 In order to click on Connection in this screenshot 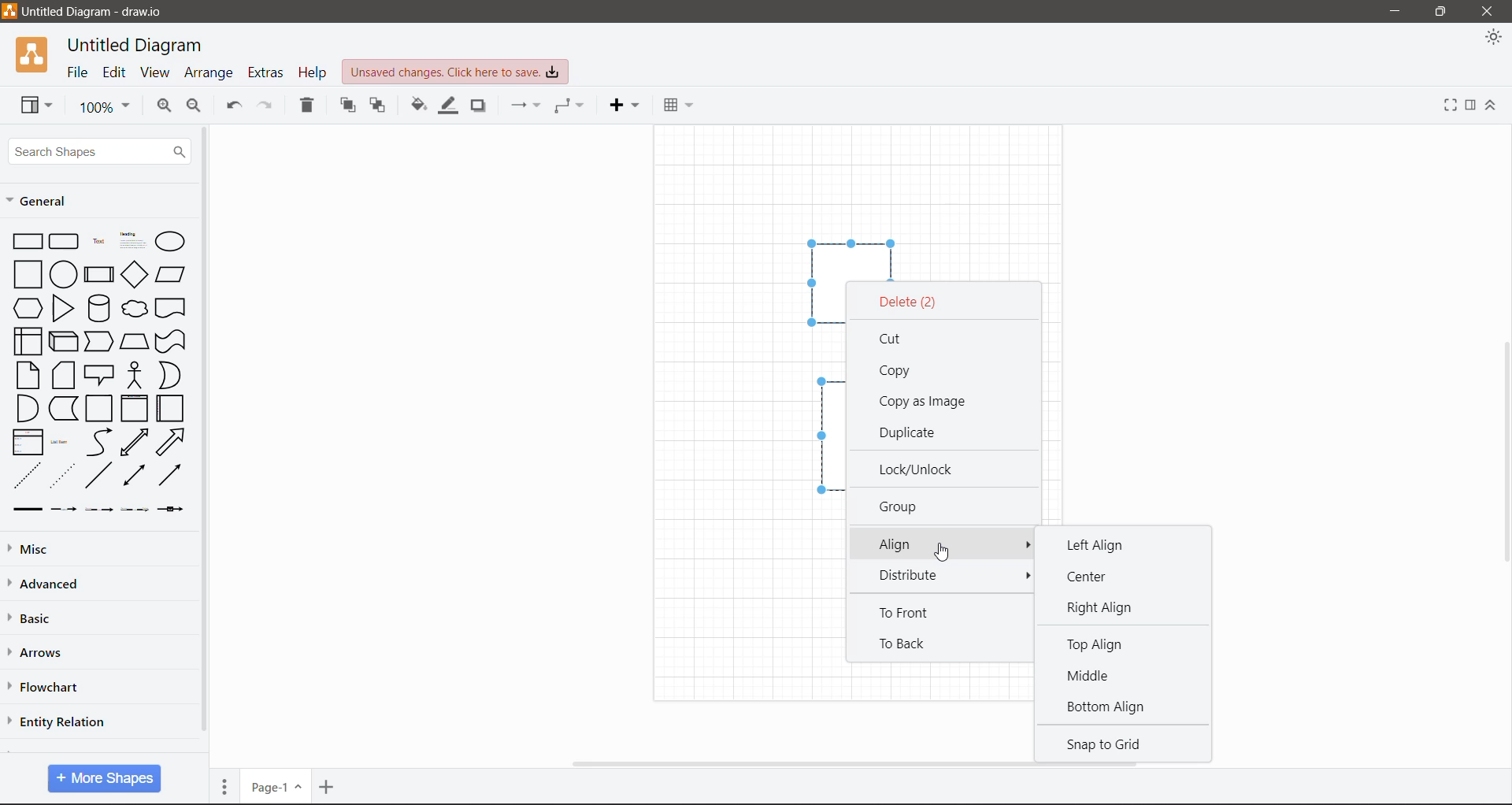, I will do `click(527, 106)`.